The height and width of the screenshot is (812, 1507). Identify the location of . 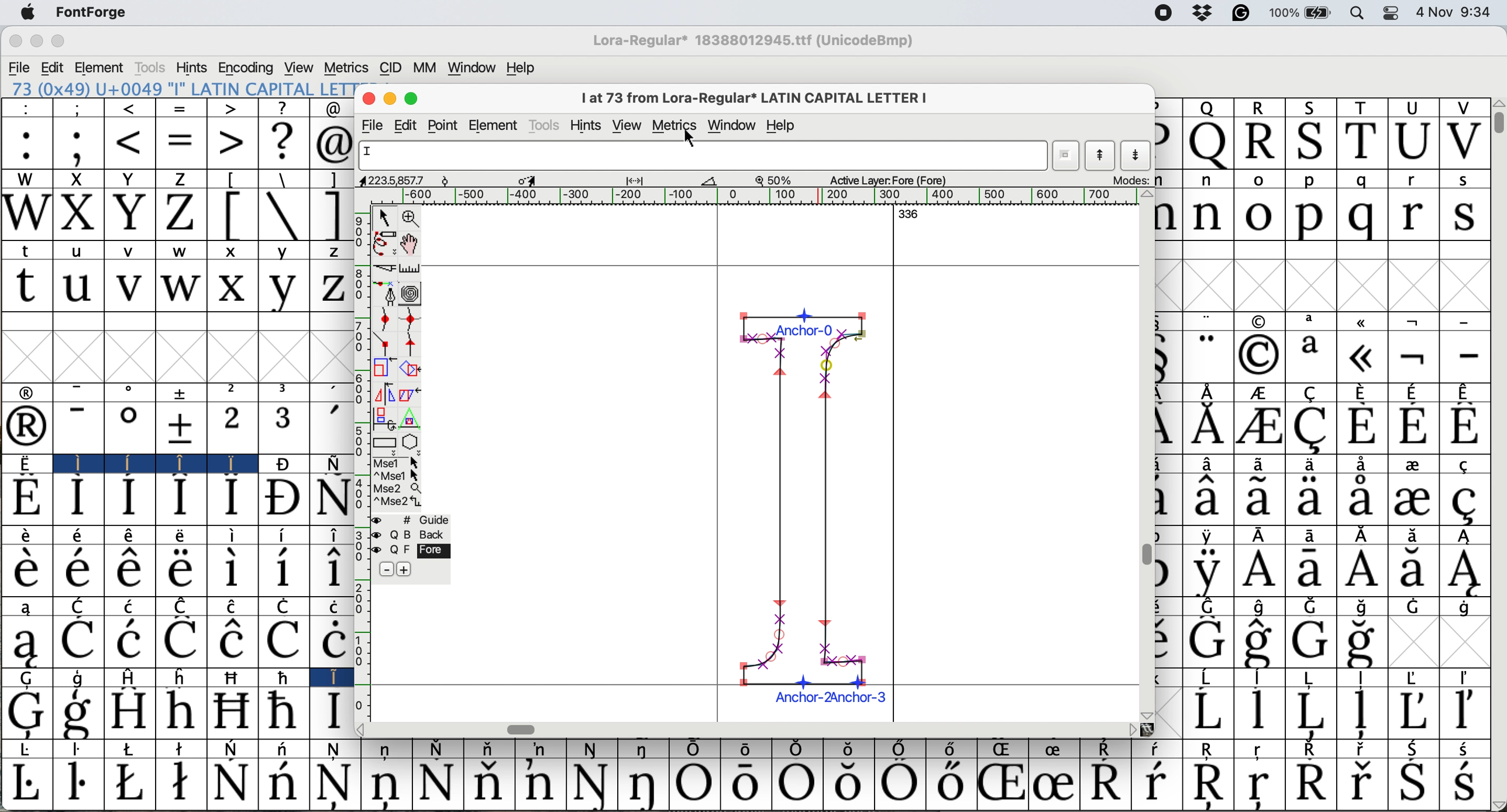
(368, 730).